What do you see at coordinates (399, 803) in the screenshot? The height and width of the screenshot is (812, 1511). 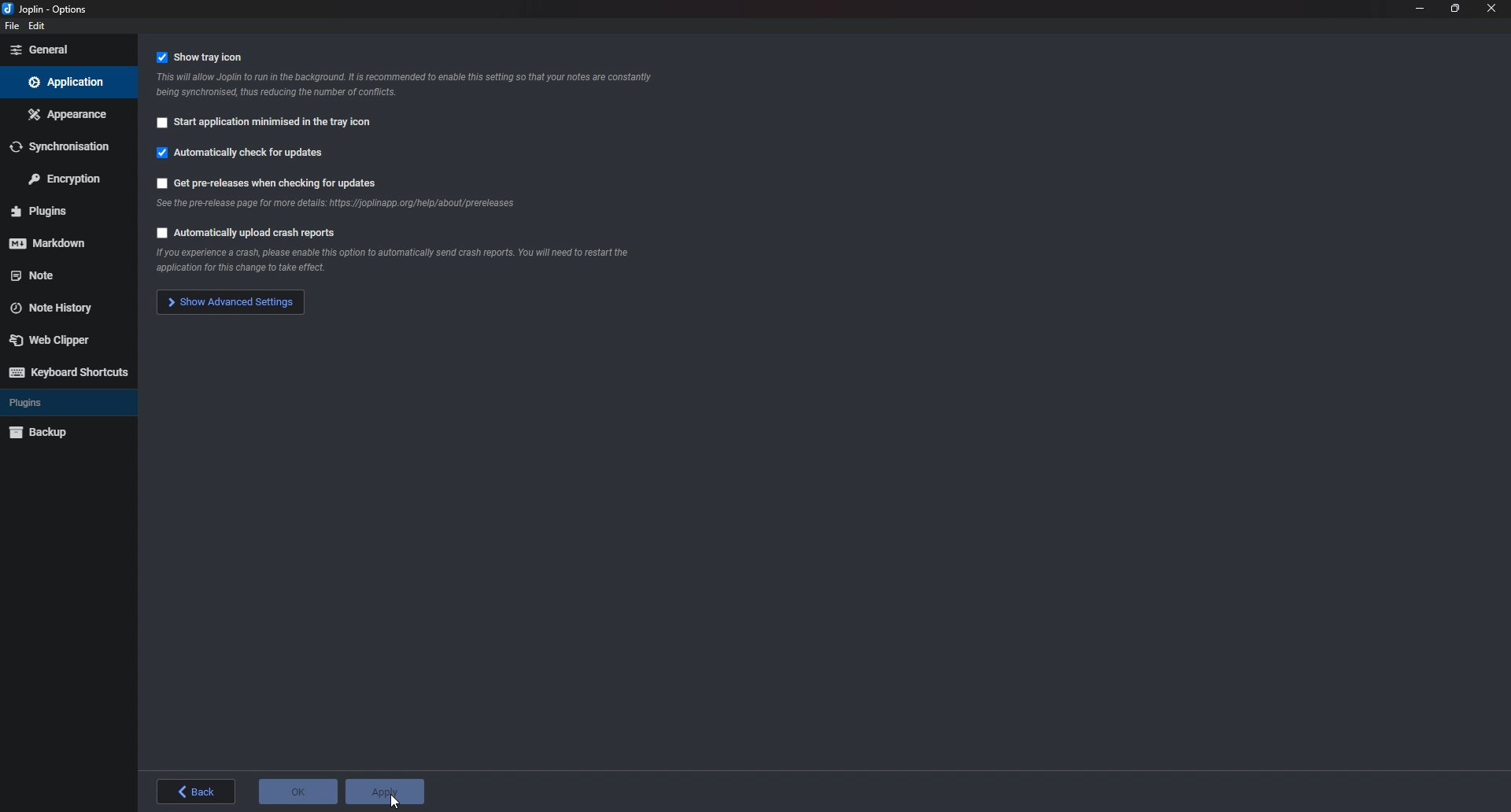 I see `cursor` at bounding box center [399, 803].